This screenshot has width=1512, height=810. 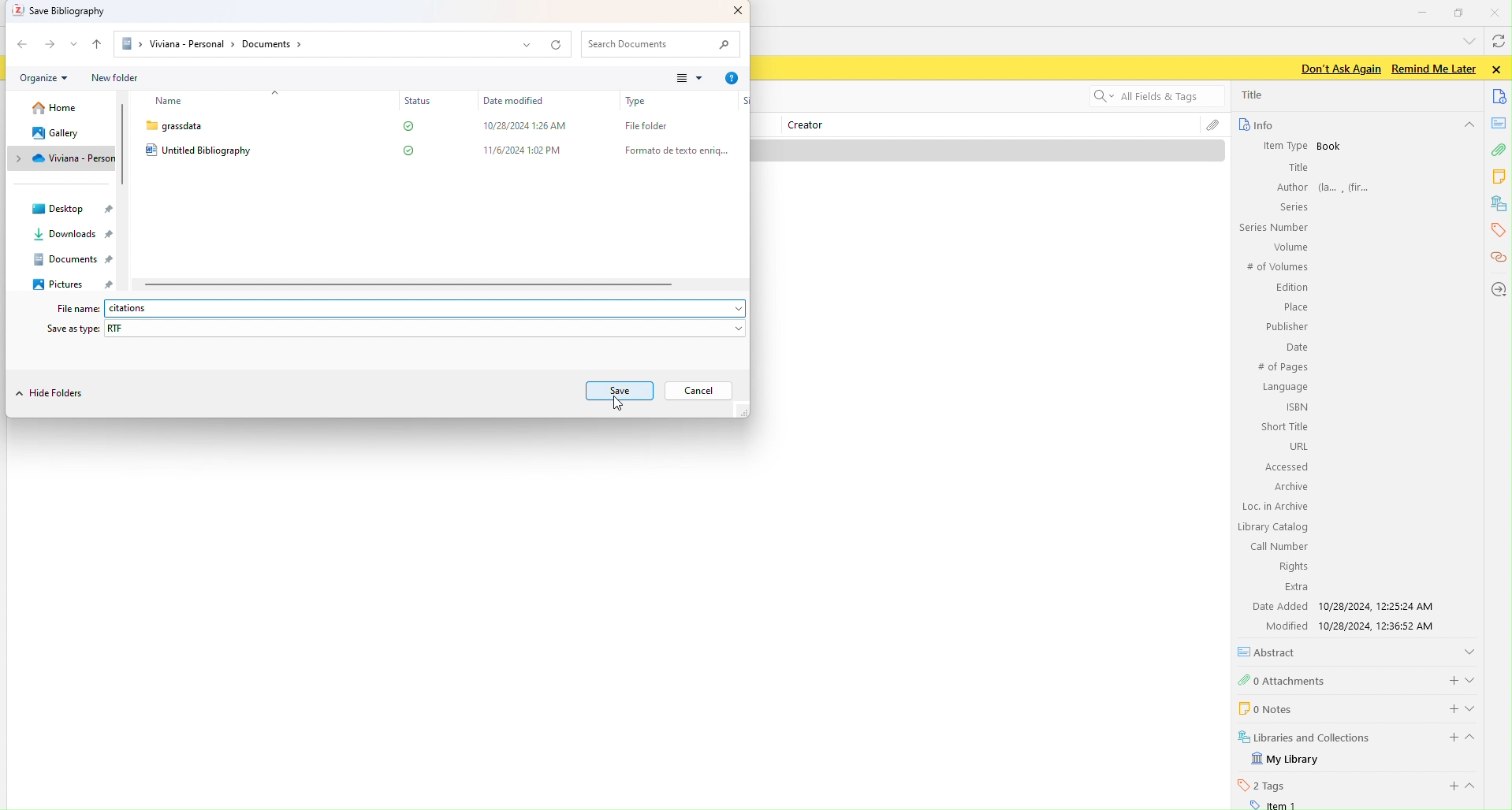 I want to click on Gallery, so click(x=54, y=133).